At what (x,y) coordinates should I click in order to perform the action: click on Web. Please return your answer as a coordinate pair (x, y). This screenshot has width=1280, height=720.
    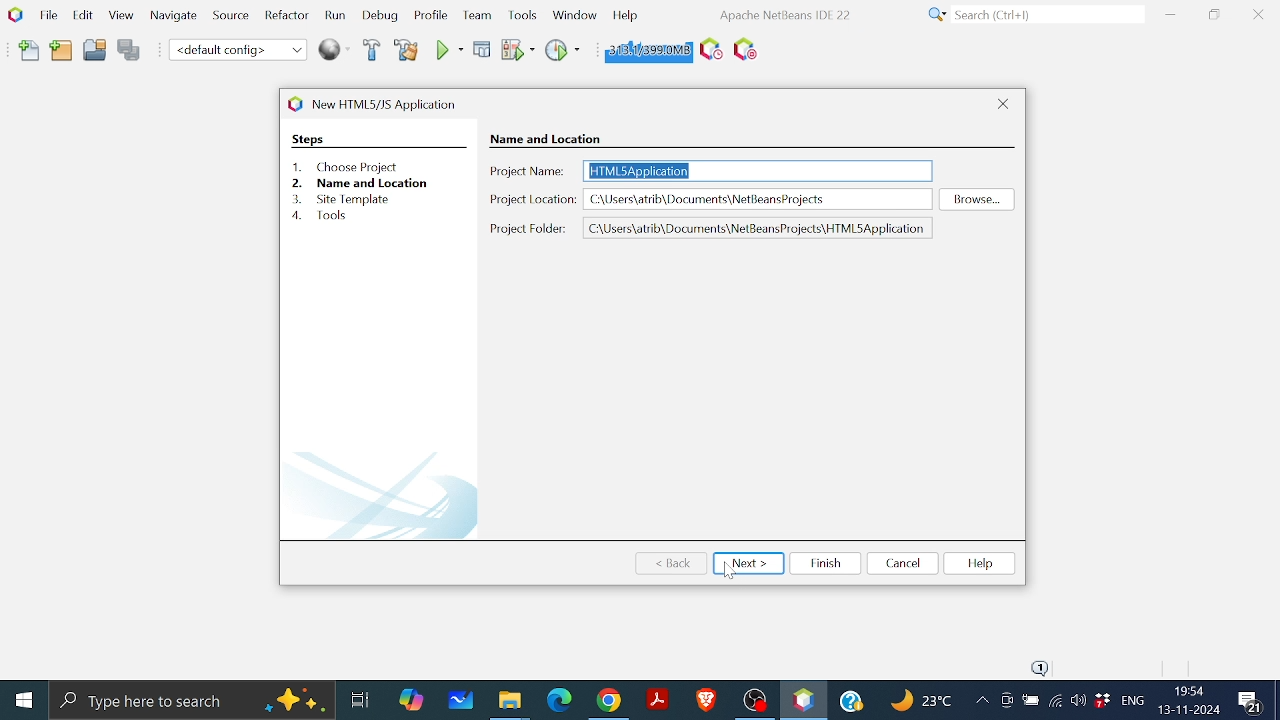
    Looking at the image, I should click on (337, 48).